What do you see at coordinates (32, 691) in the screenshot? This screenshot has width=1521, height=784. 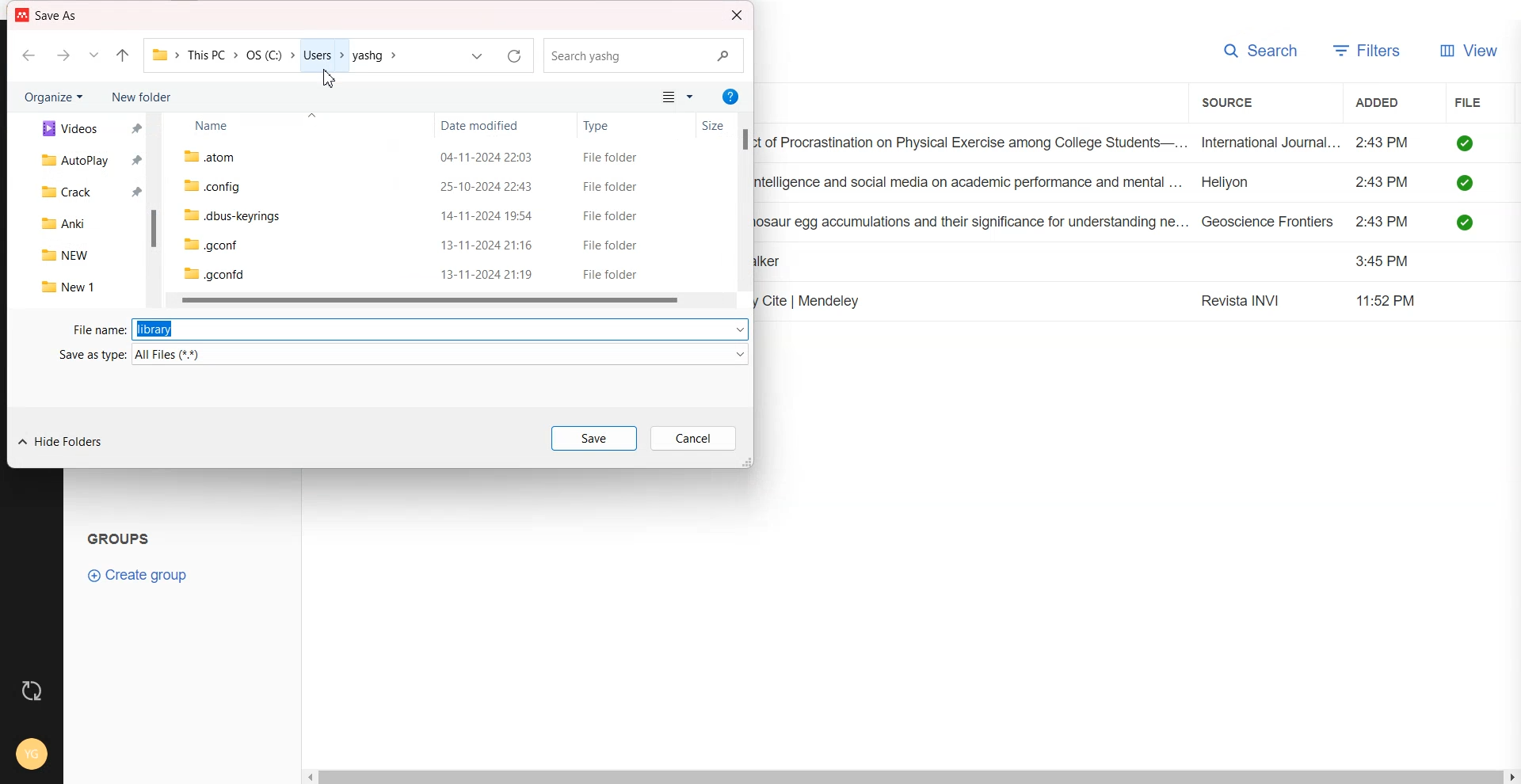 I see `Auto sync` at bounding box center [32, 691].